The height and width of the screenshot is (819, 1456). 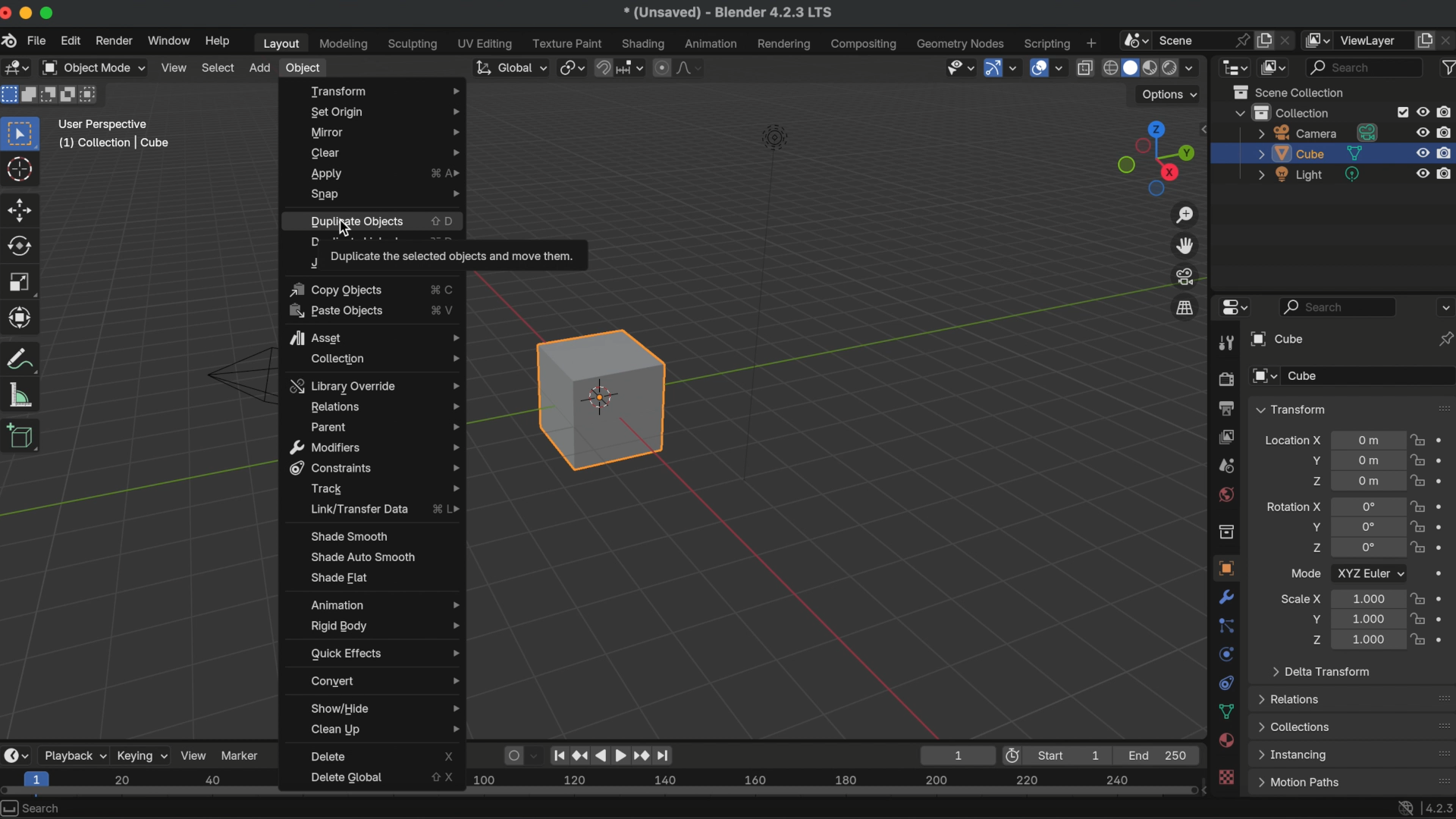 I want to click on shade auto smooth, so click(x=362, y=556).